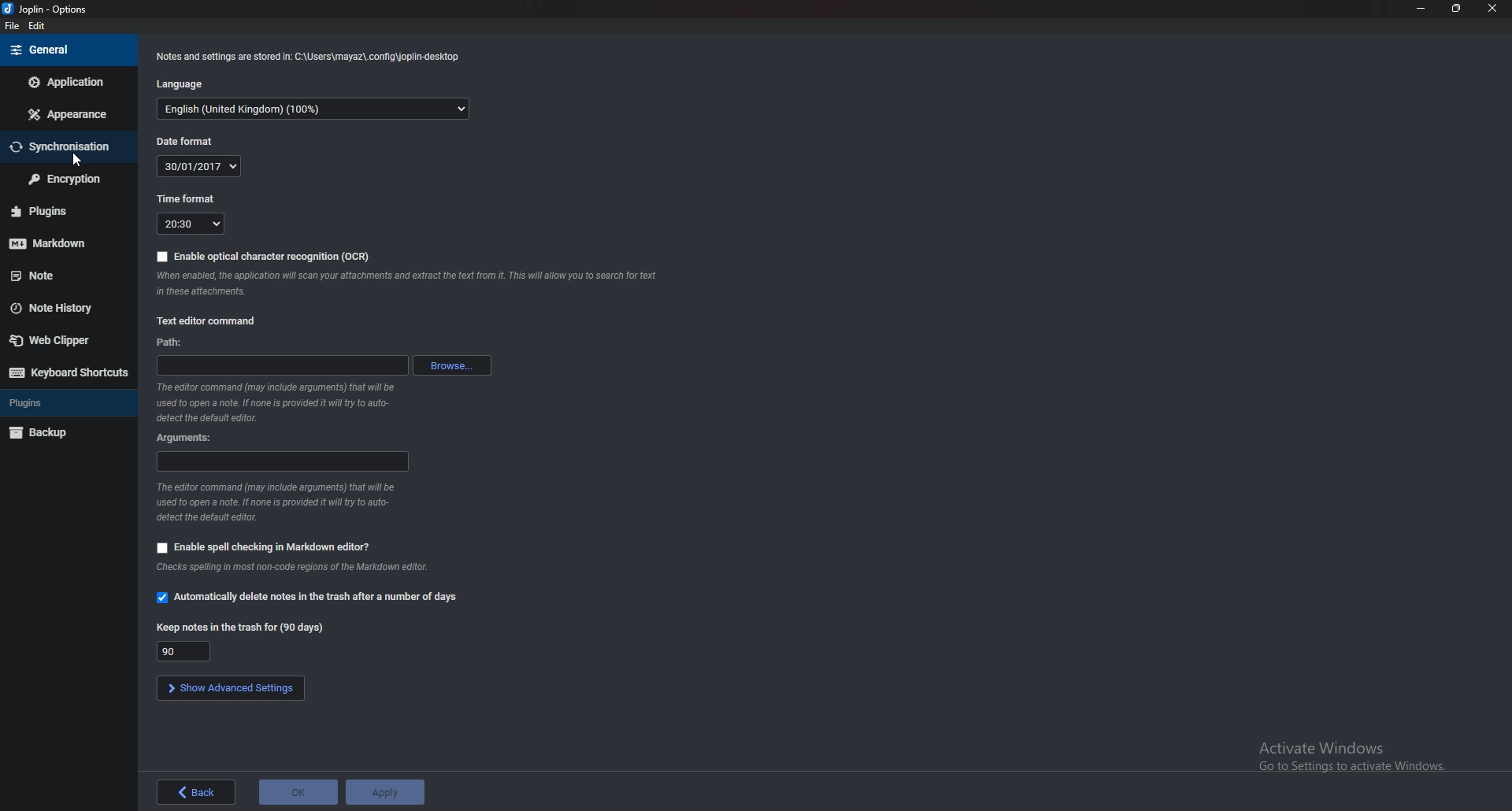  What do you see at coordinates (39, 26) in the screenshot?
I see `edit` at bounding box center [39, 26].